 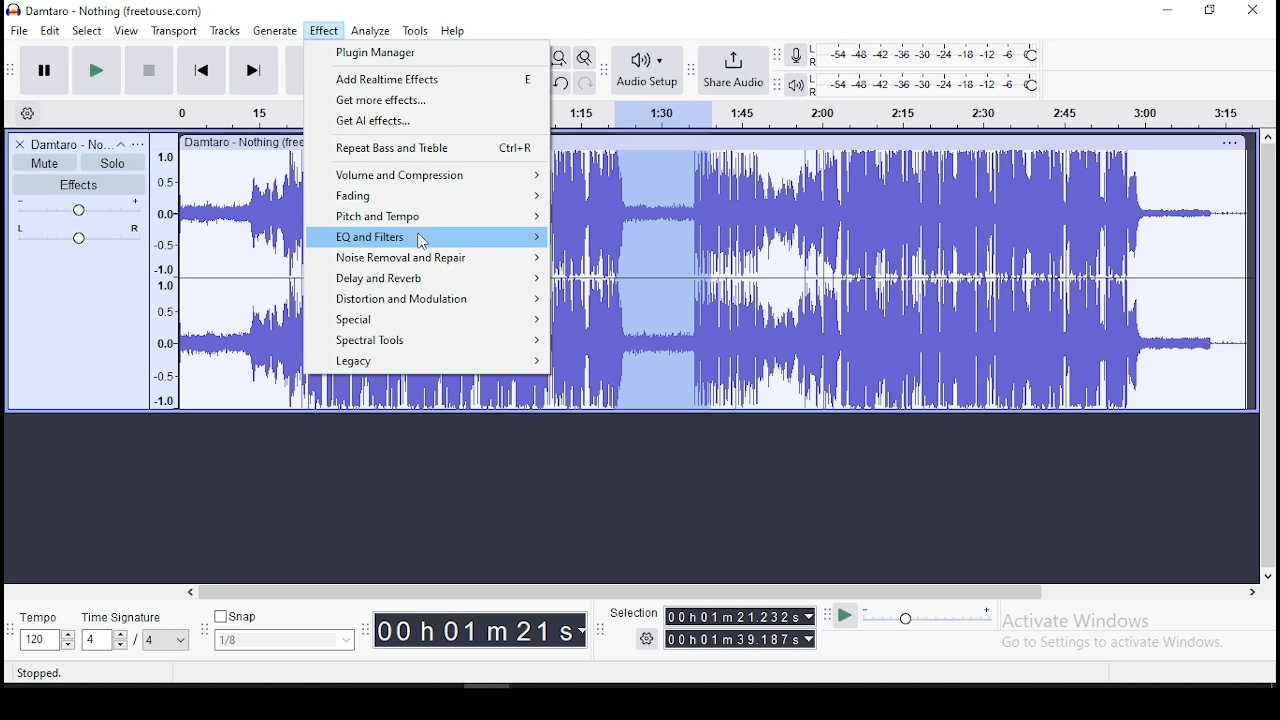 What do you see at coordinates (425, 258) in the screenshot?
I see `noise removal and repair` at bounding box center [425, 258].